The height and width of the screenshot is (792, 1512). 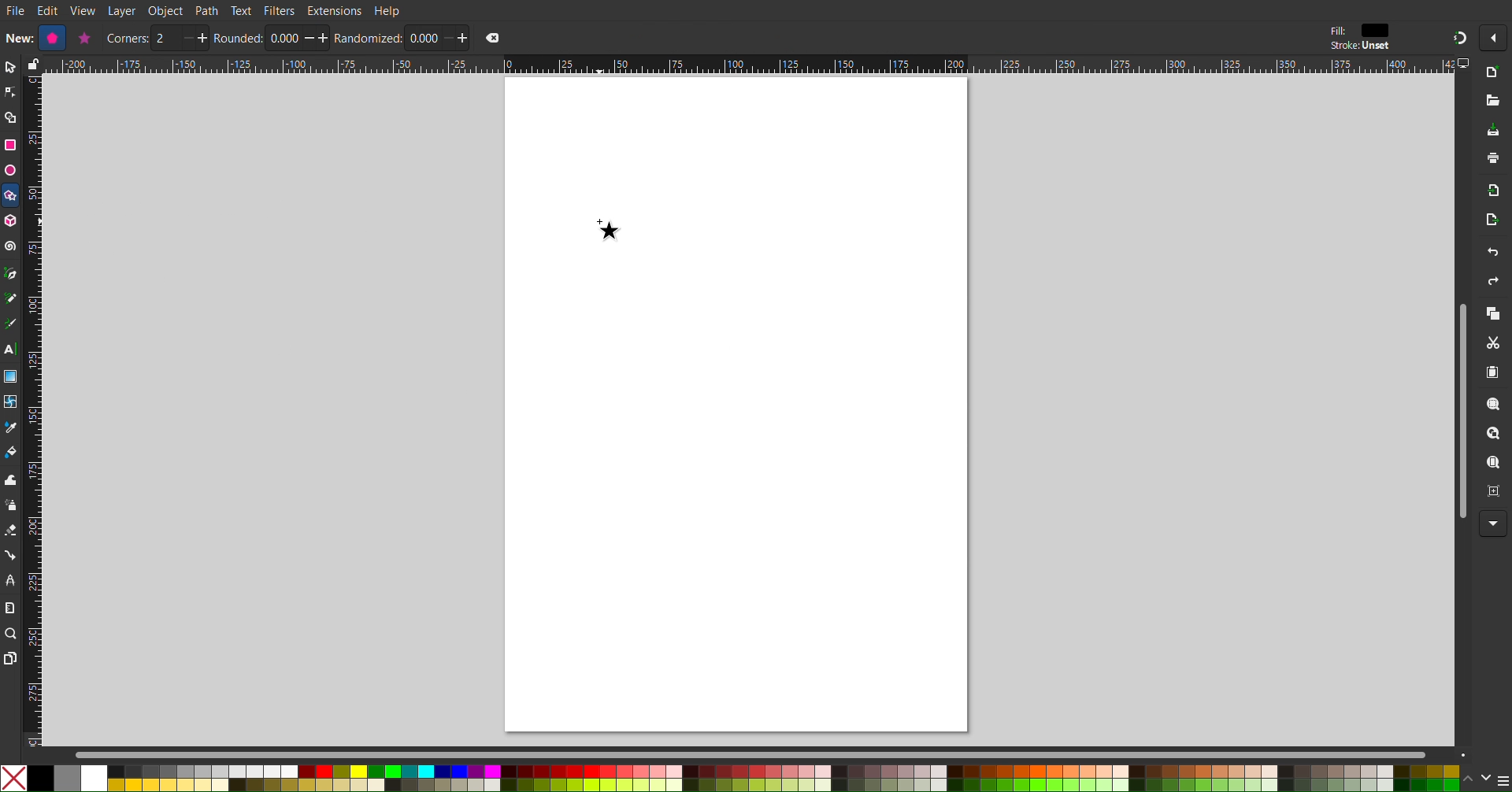 What do you see at coordinates (1494, 160) in the screenshot?
I see `Print` at bounding box center [1494, 160].